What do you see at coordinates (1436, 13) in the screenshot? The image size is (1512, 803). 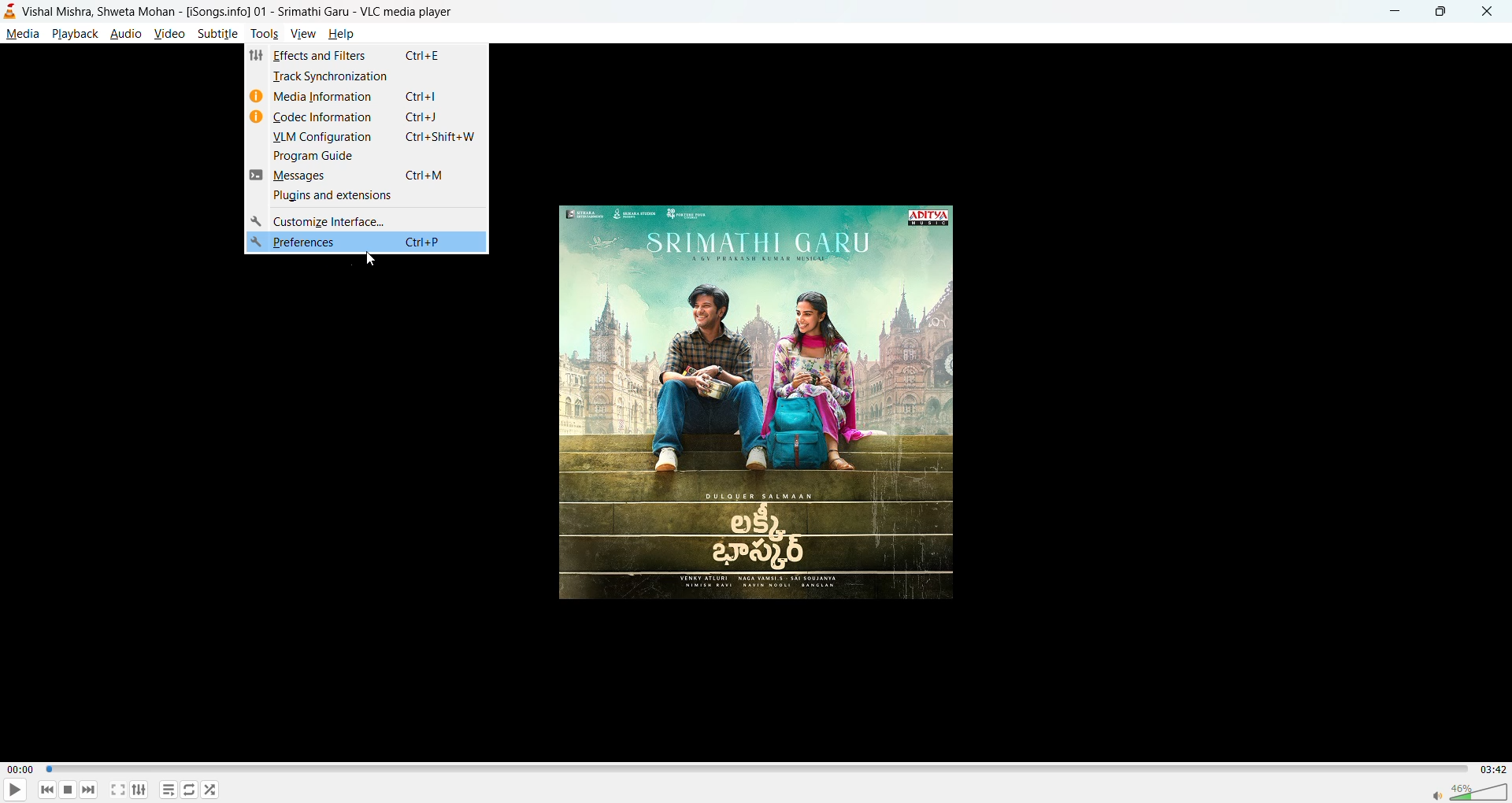 I see `maximize` at bounding box center [1436, 13].